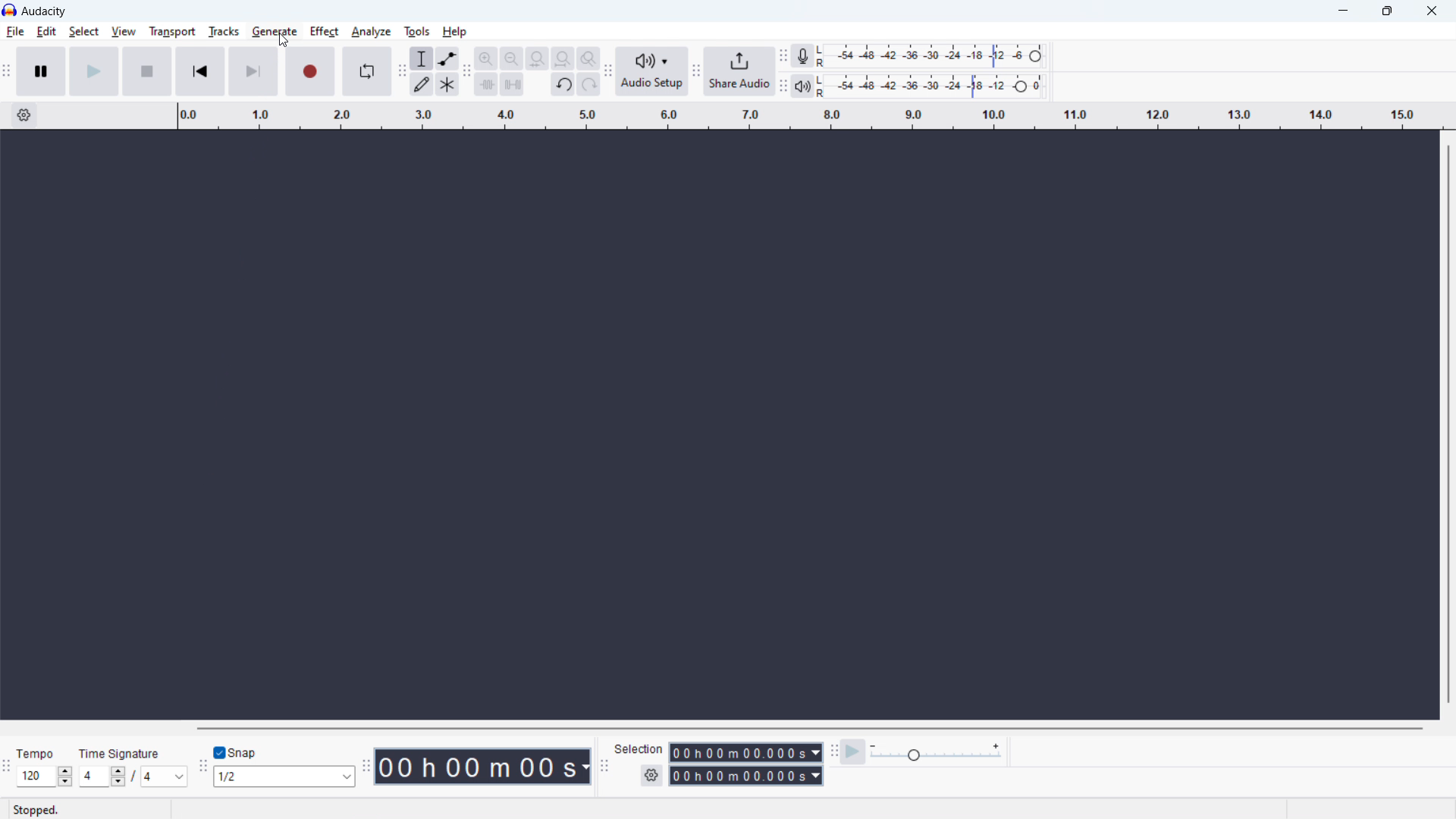  I want to click on selection tool, so click(422, 58).